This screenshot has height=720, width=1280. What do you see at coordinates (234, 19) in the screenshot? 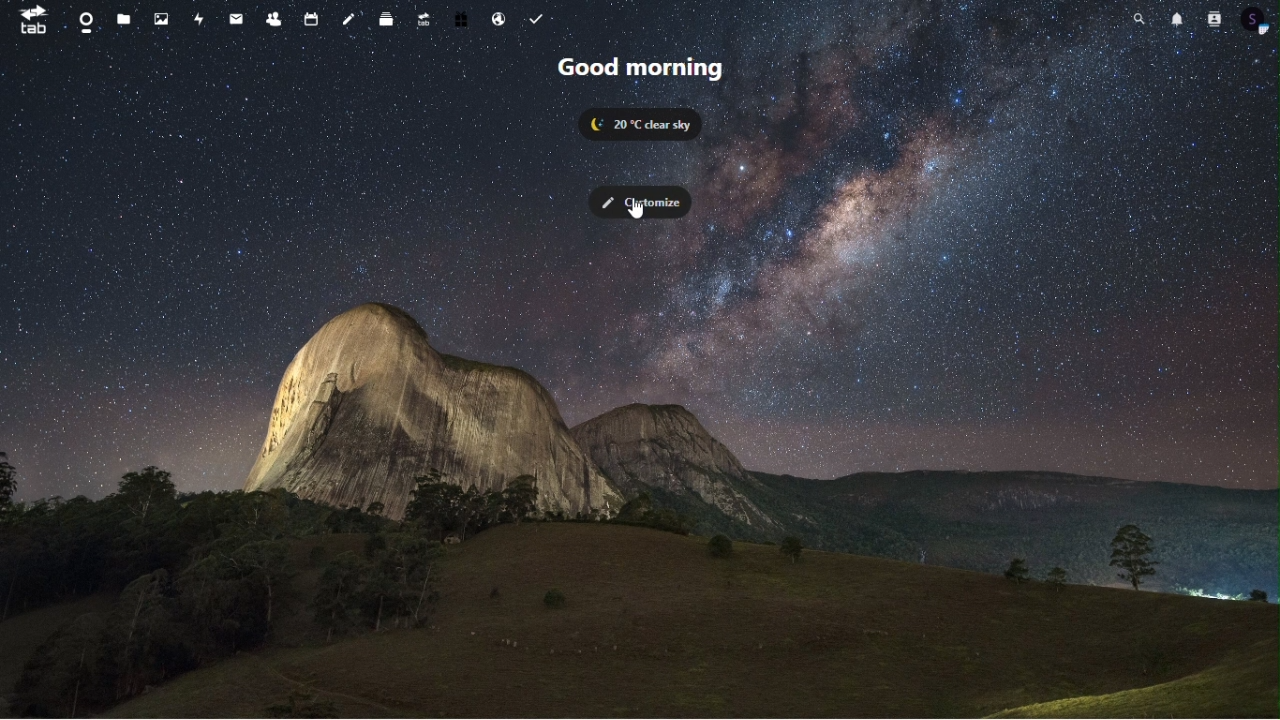
I see `message` at bounding box center [234, 19].